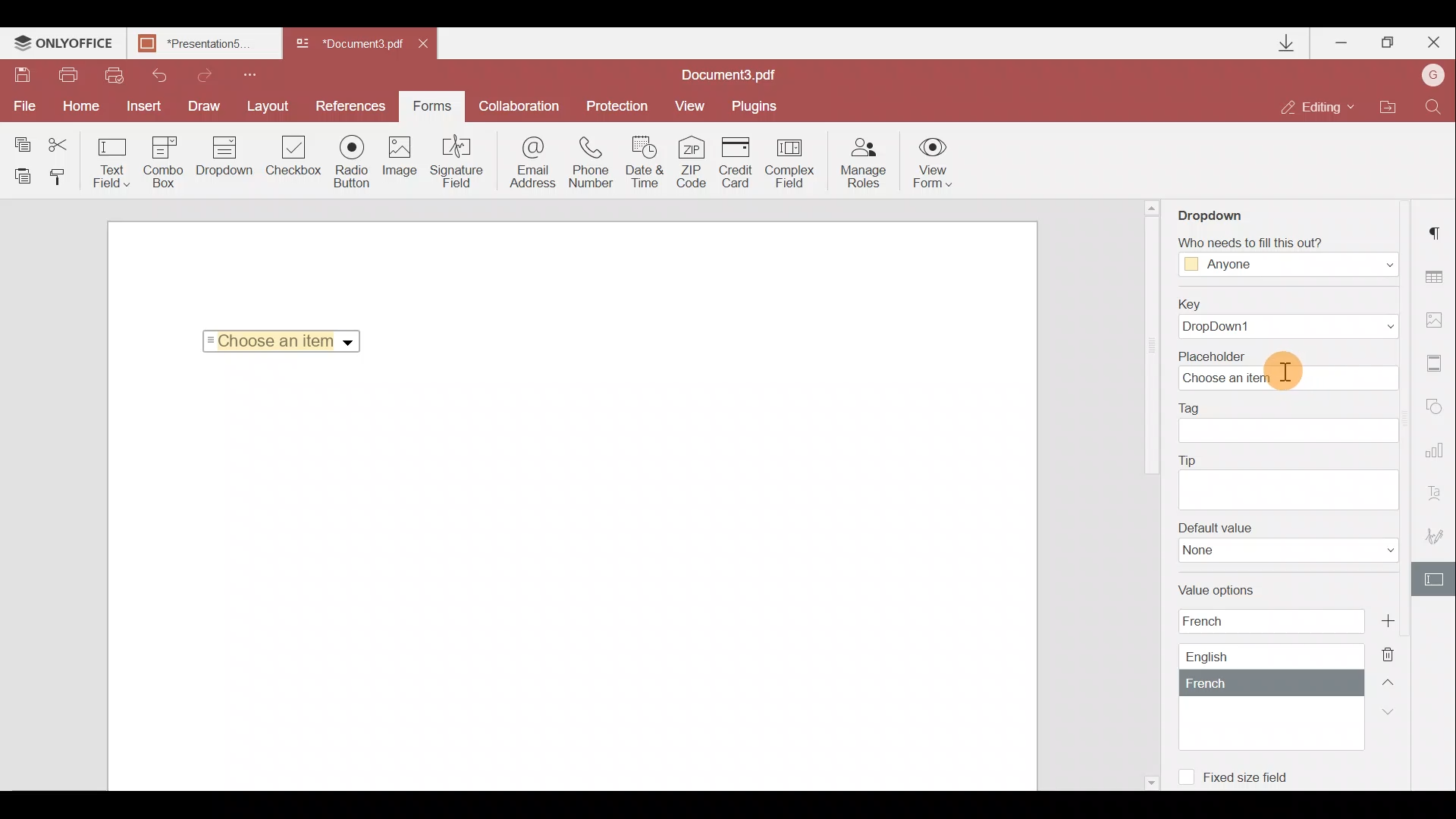 The width and height of the screenshot is (1456, 819). Describe the element at coordinates (740, 160) in the screenshot. I see `Credit card` at that location.